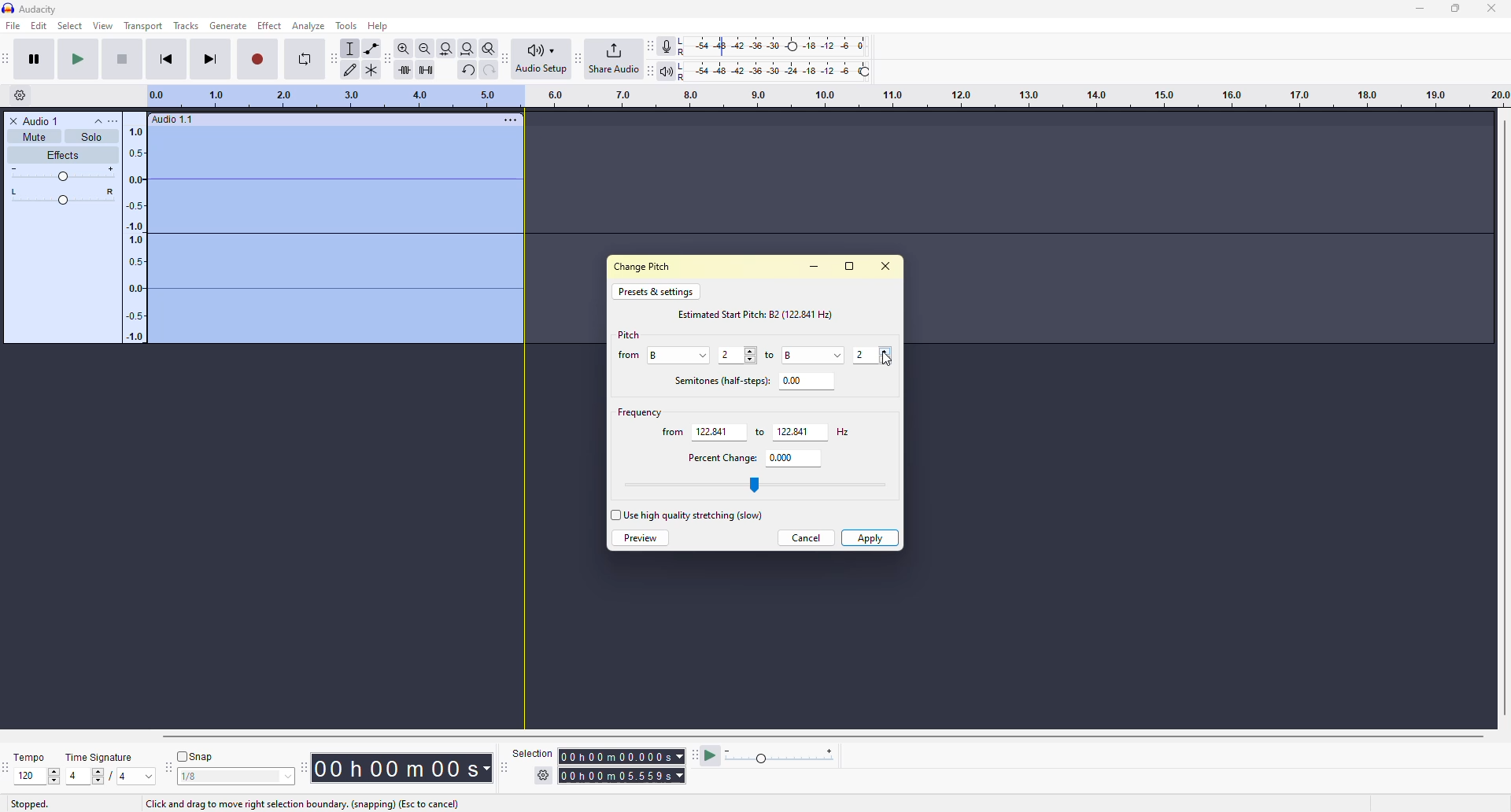 The width and height of the screenshot is (1511, 812). Describe the element at coordinates (650, 69) in the screenshot. I see `playback meter toolbar` at that location.